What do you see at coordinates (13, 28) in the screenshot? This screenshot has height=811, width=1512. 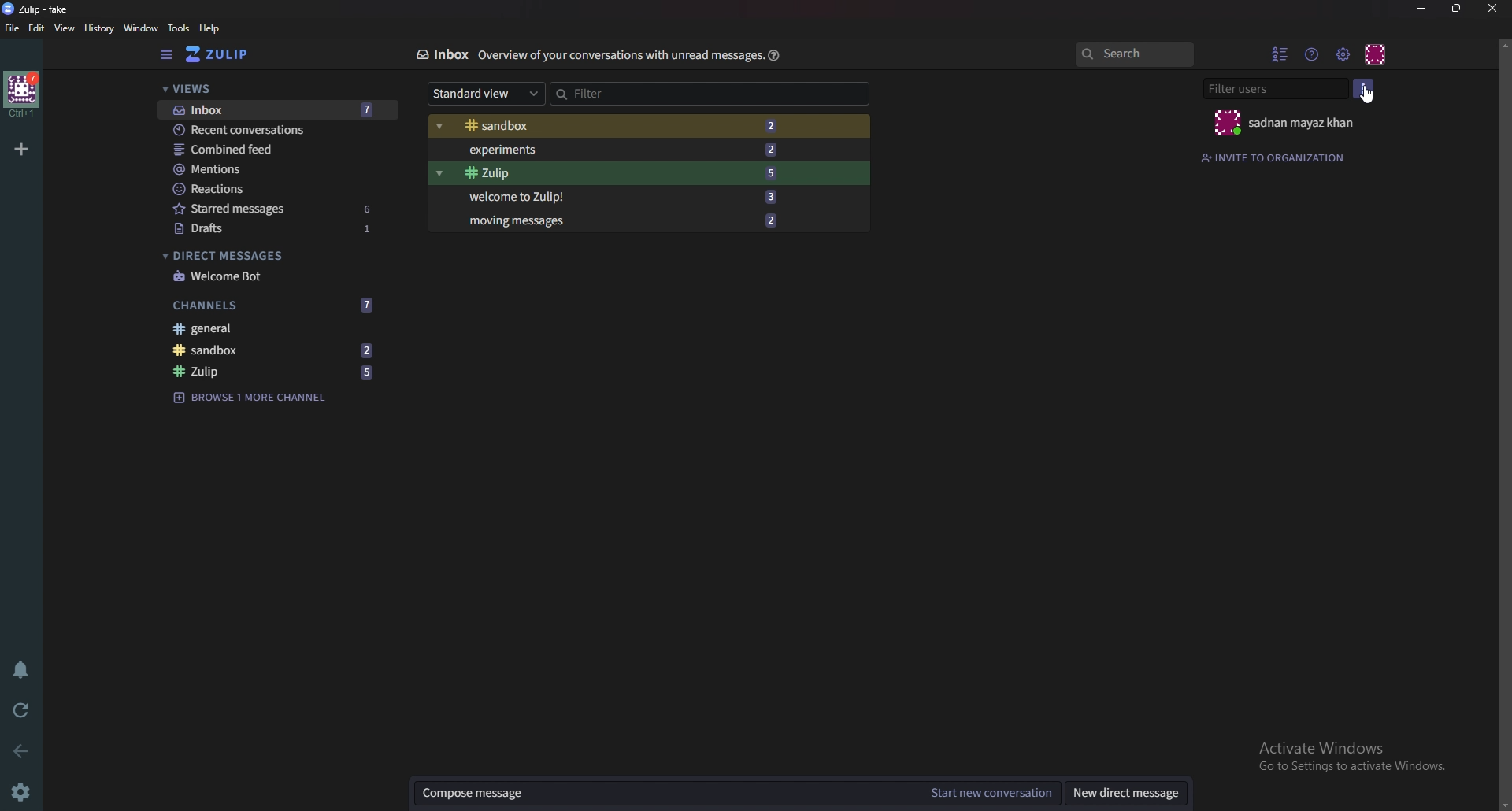 I see `file` at bounding box center [13, 28].